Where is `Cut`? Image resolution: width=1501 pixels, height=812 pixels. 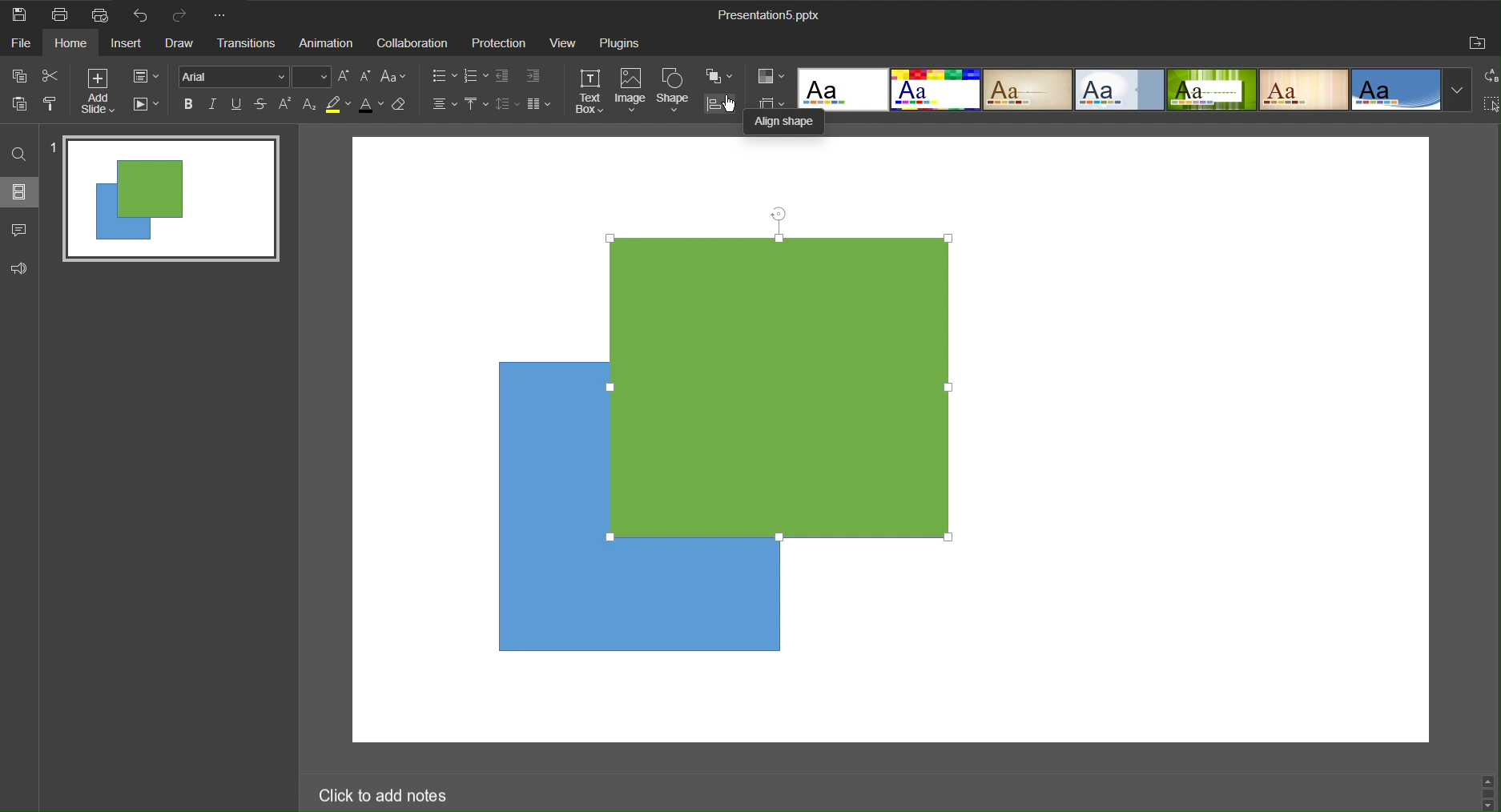 Cut is located at coordinates (51, 75).